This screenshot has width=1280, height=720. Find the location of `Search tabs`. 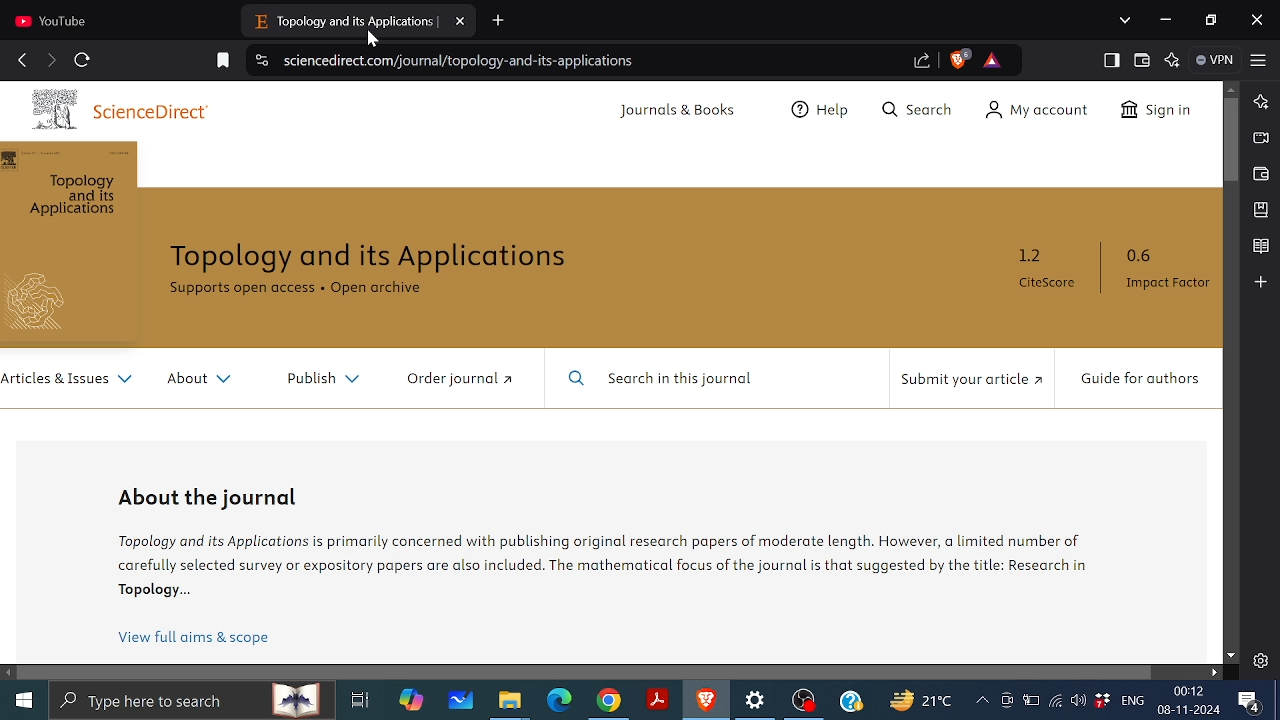

Search tabs is located at coordinates (1127, 20).